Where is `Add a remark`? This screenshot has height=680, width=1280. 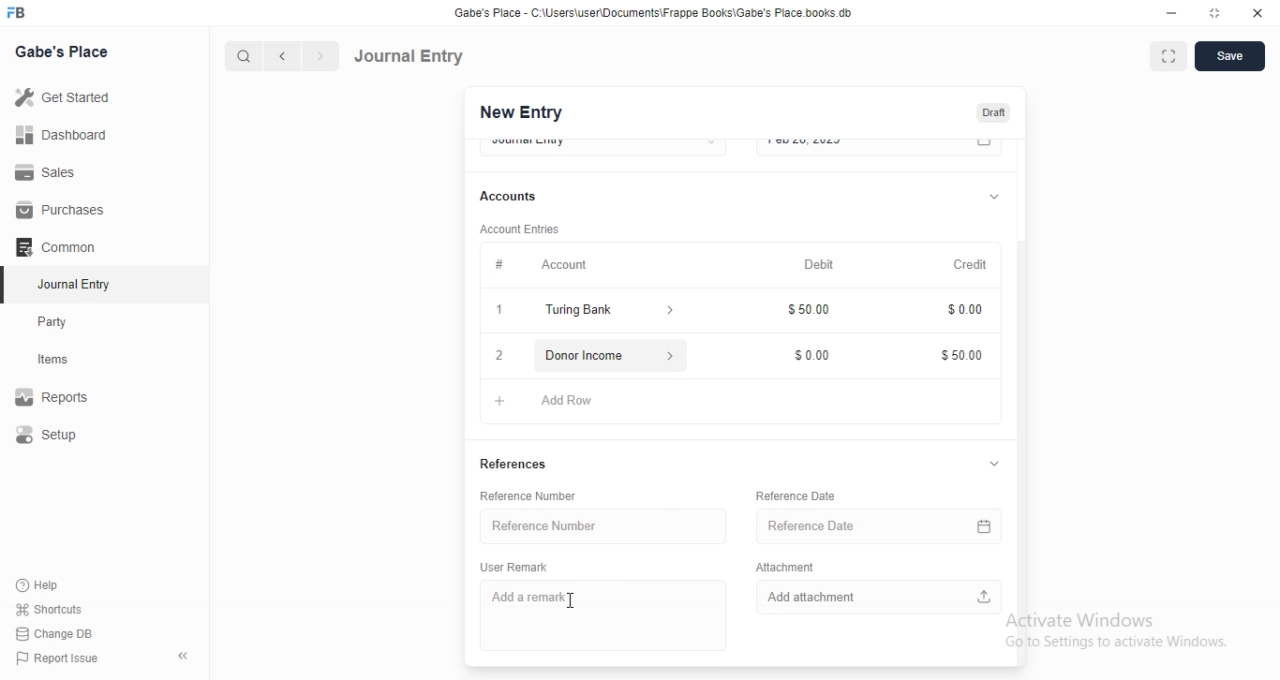 Add a remark is located at coordinates (599, 615).